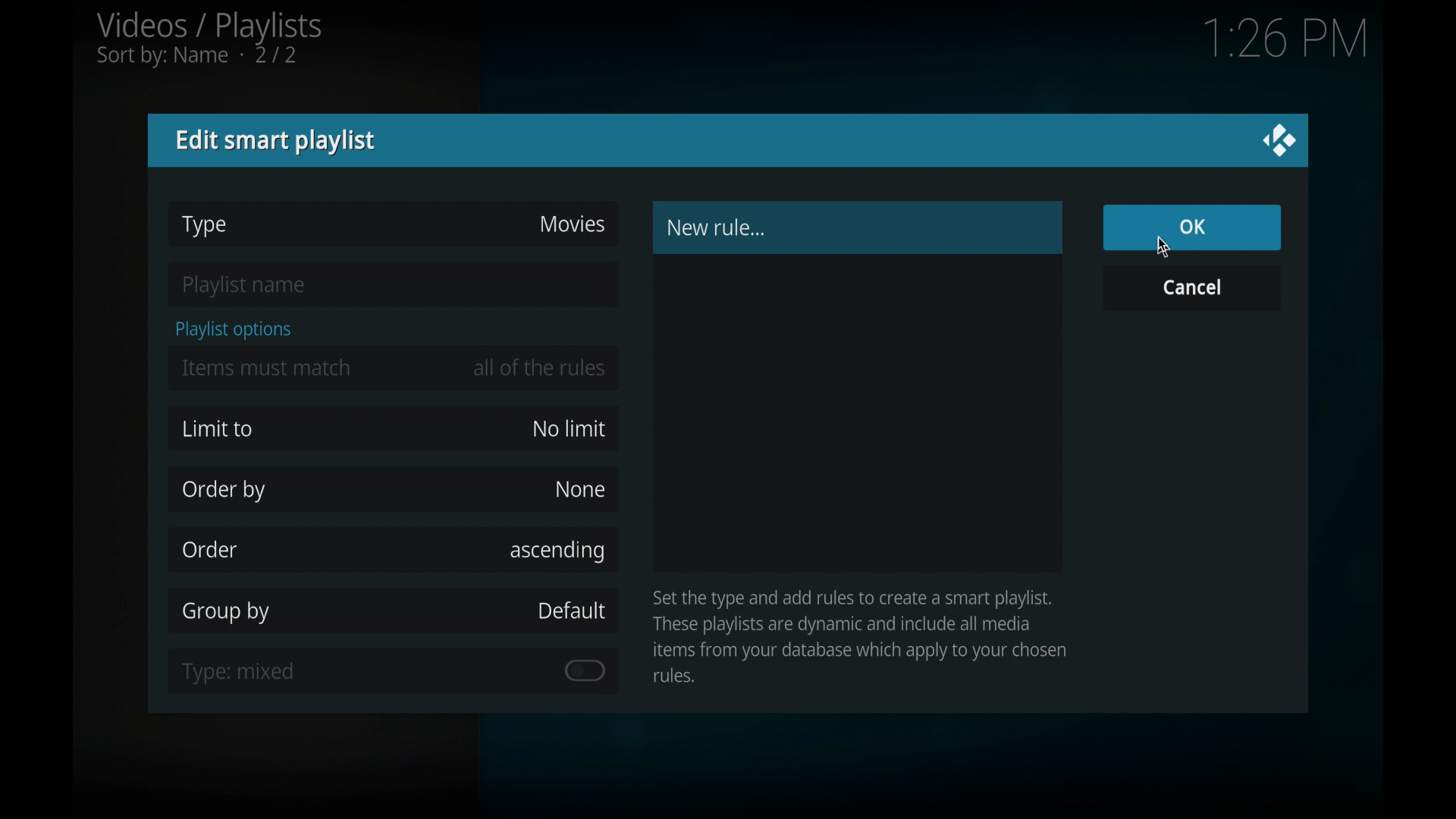 This screenshot has height=819, width=1456. Describe the element at coordinates (229, 611) in the screenshot. I see `group by` at that location.